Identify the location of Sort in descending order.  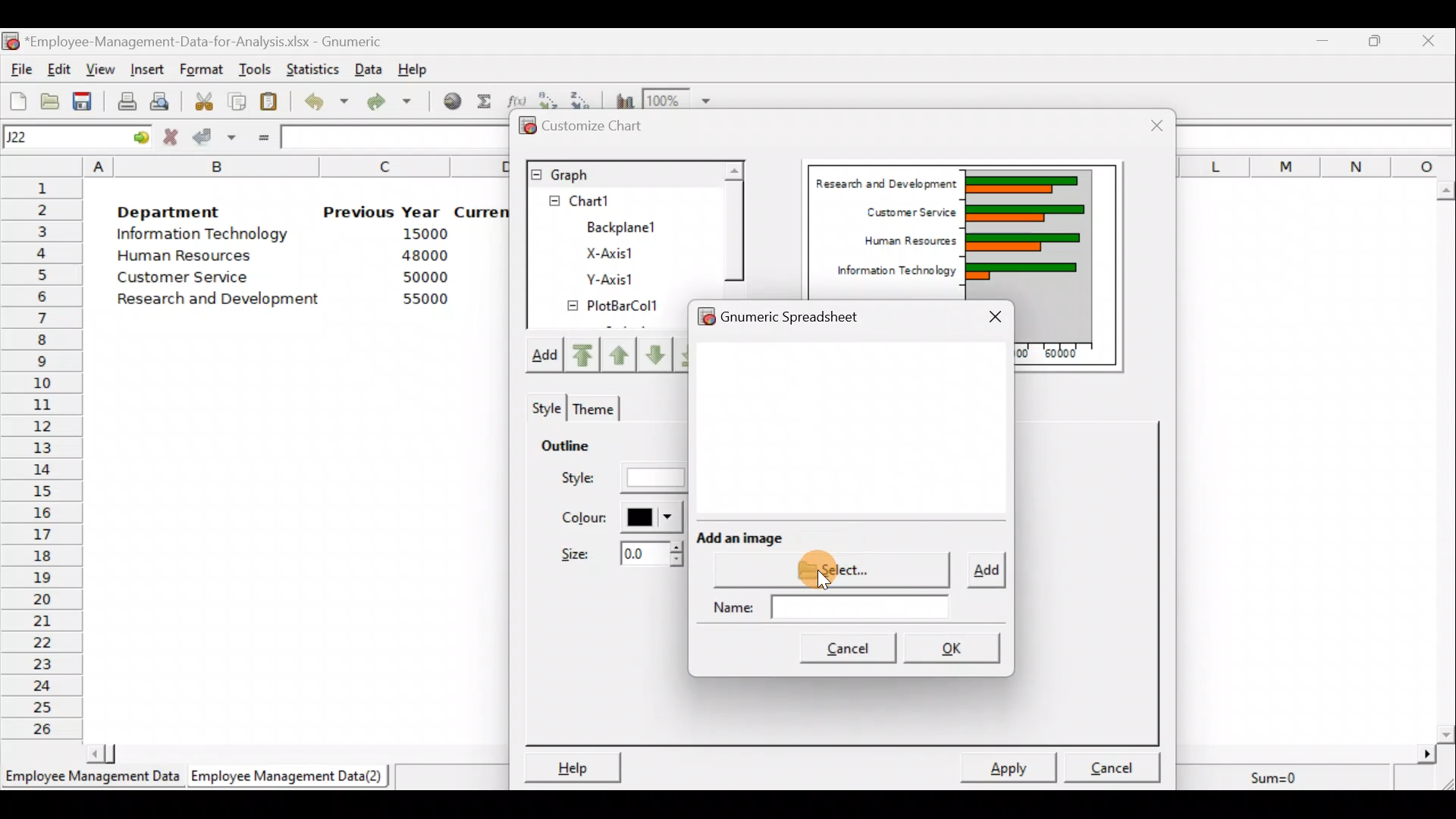
(583, 98).